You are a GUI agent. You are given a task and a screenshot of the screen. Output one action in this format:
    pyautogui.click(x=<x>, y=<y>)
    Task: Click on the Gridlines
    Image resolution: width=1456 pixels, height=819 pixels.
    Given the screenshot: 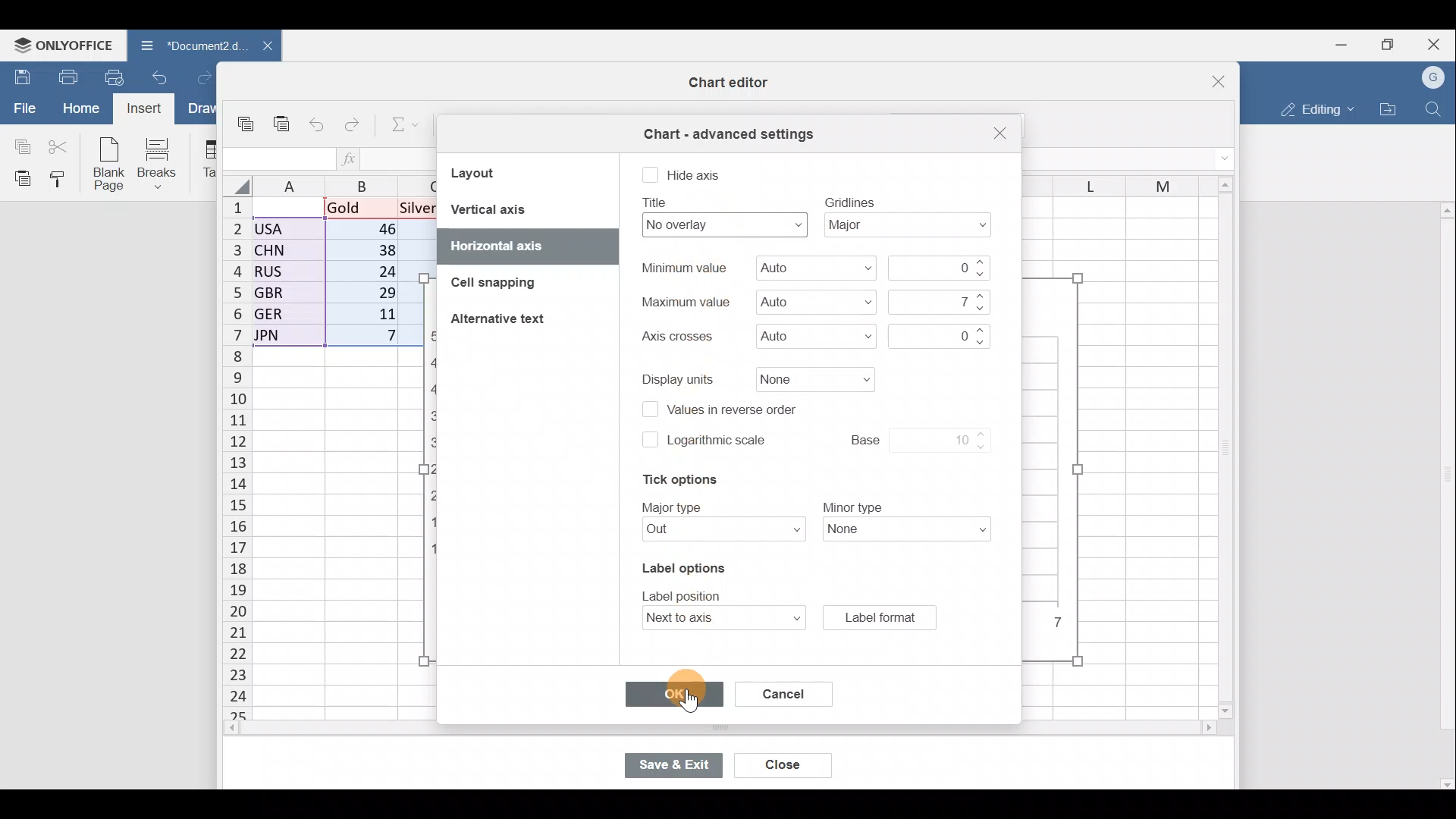 What is the action you would take?
    pyautogui.click(x=912, y=226)
    